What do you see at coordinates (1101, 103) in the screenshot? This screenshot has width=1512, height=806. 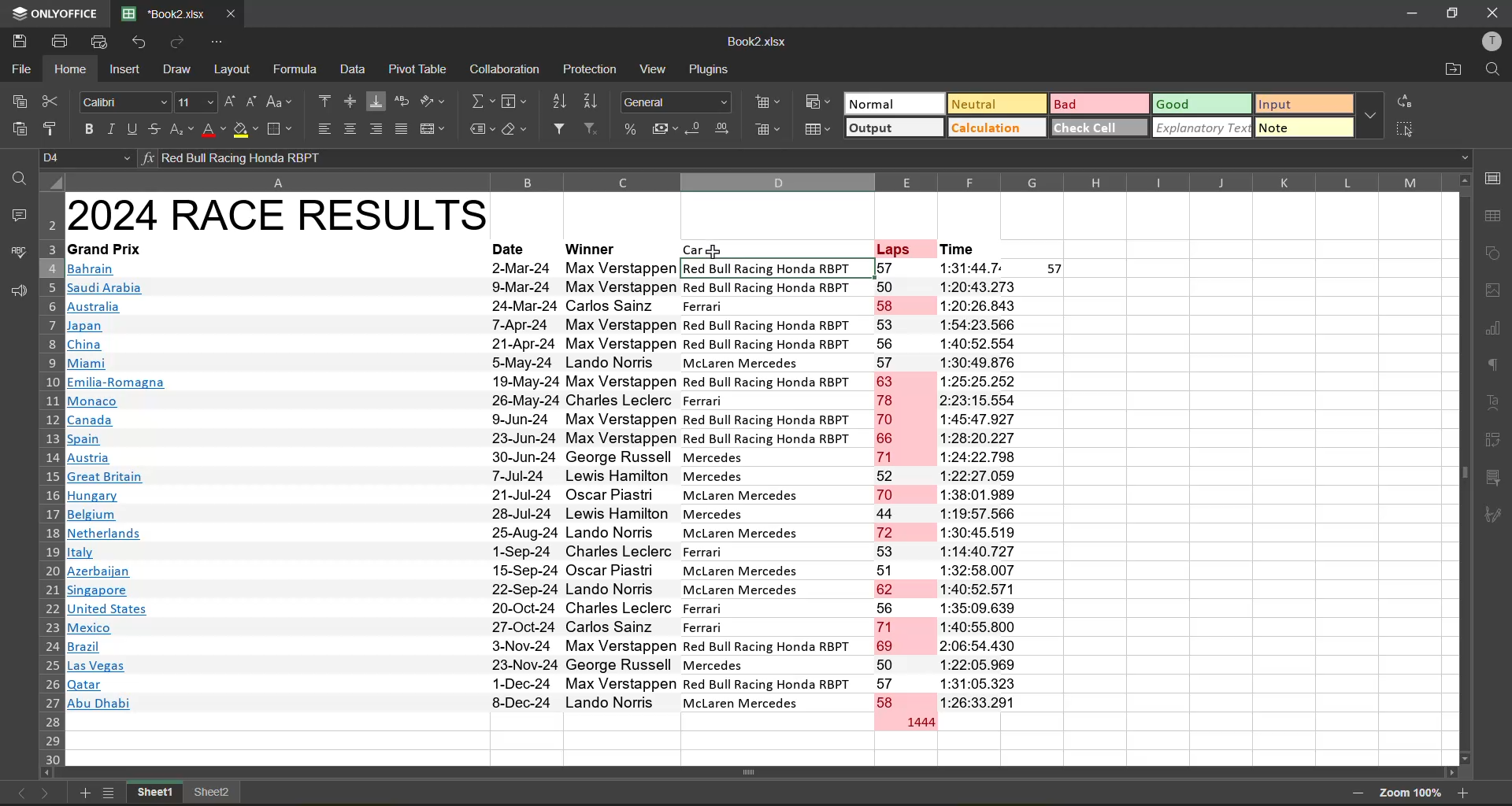 I see `bad` at bounding box center [1101, 103].